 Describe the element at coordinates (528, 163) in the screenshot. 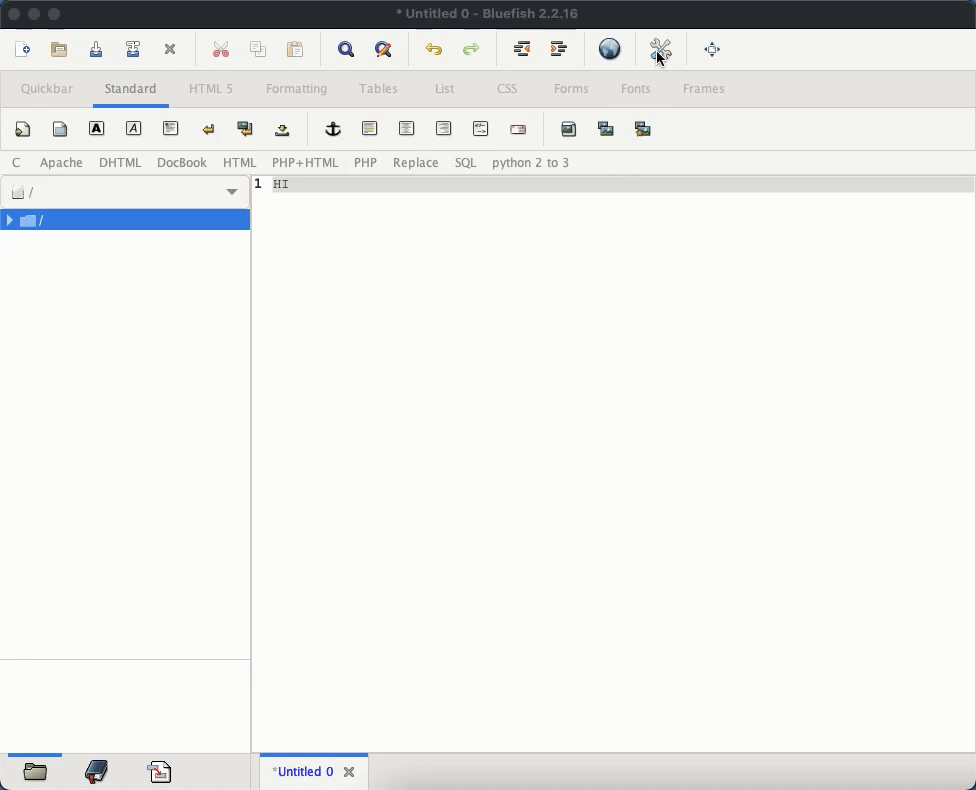

I see `python 2 to 3` at that location.